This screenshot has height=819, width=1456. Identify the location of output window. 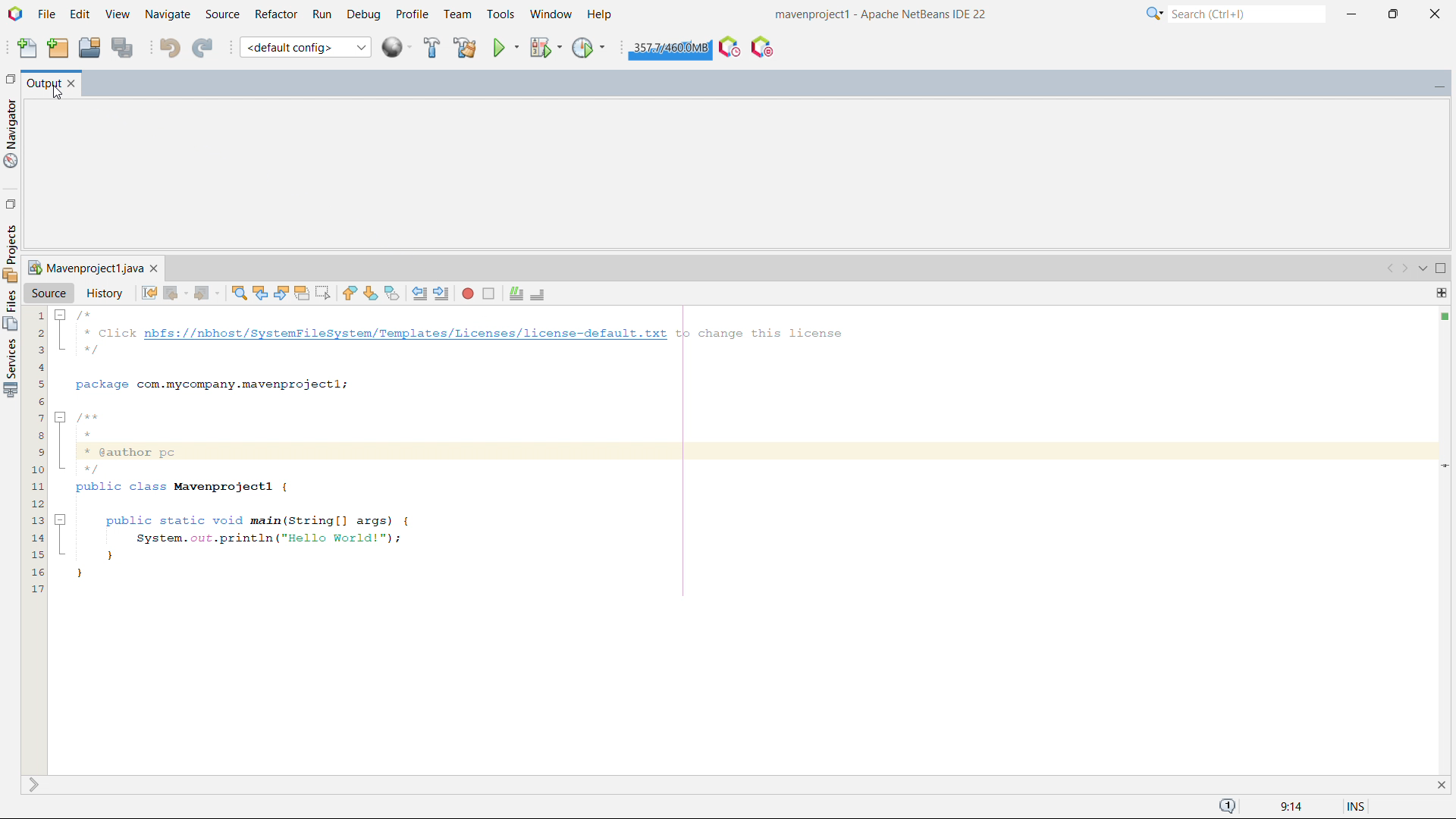
(42, 85).